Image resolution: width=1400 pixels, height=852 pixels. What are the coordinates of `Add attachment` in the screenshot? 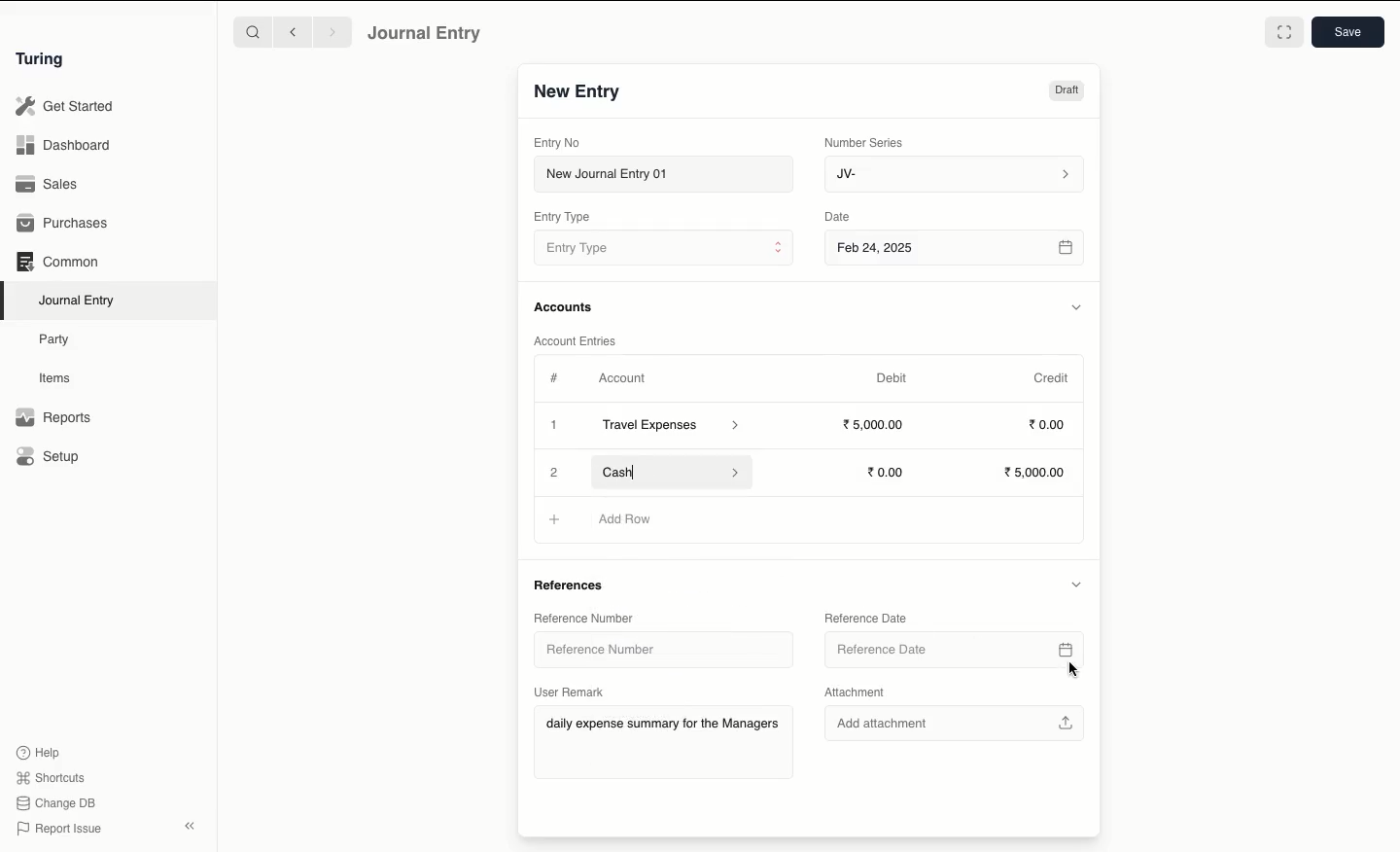 It's located at (956, 720).